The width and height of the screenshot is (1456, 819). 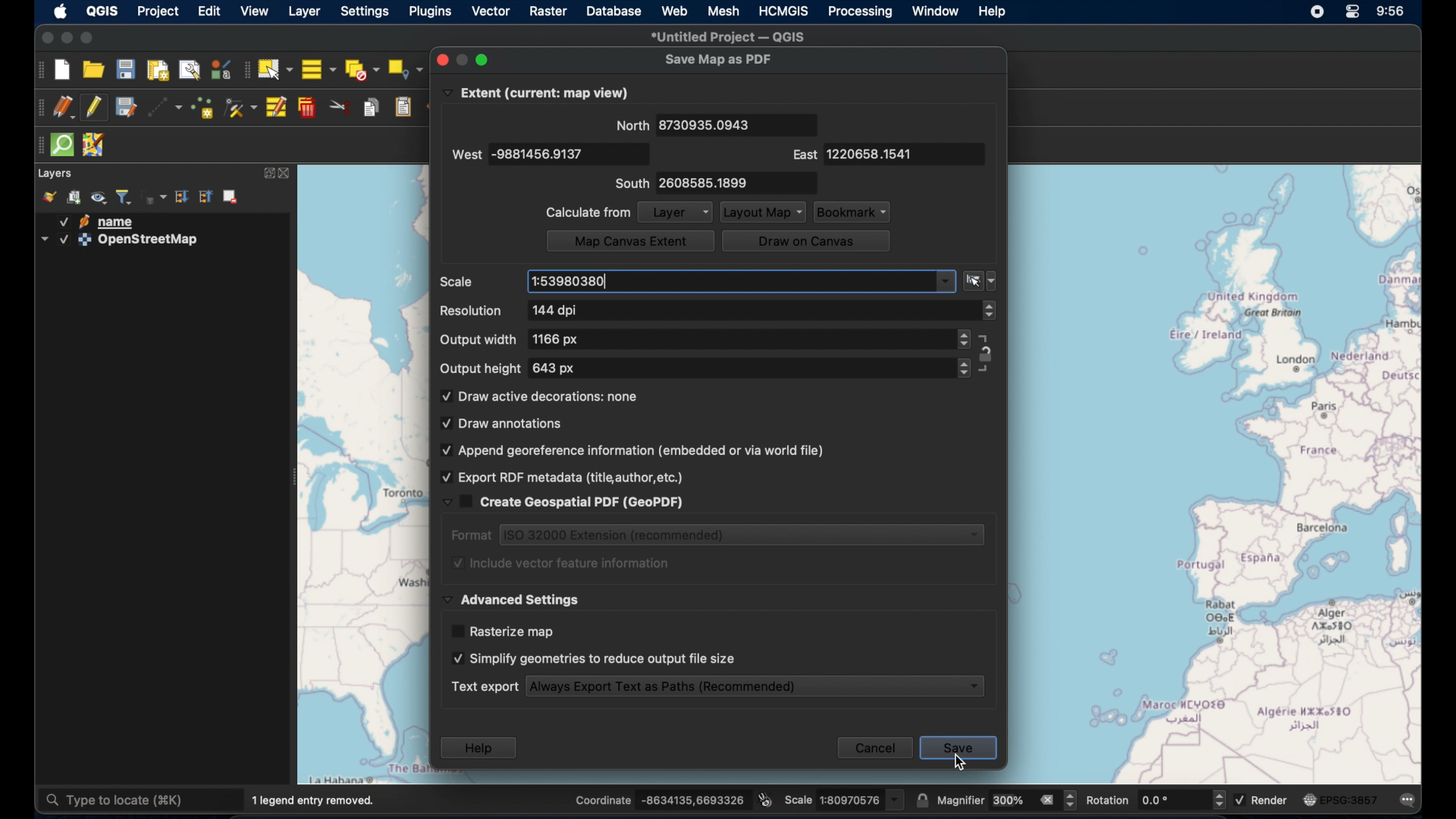 I want to click on mesh, so click(x=723, y=11).